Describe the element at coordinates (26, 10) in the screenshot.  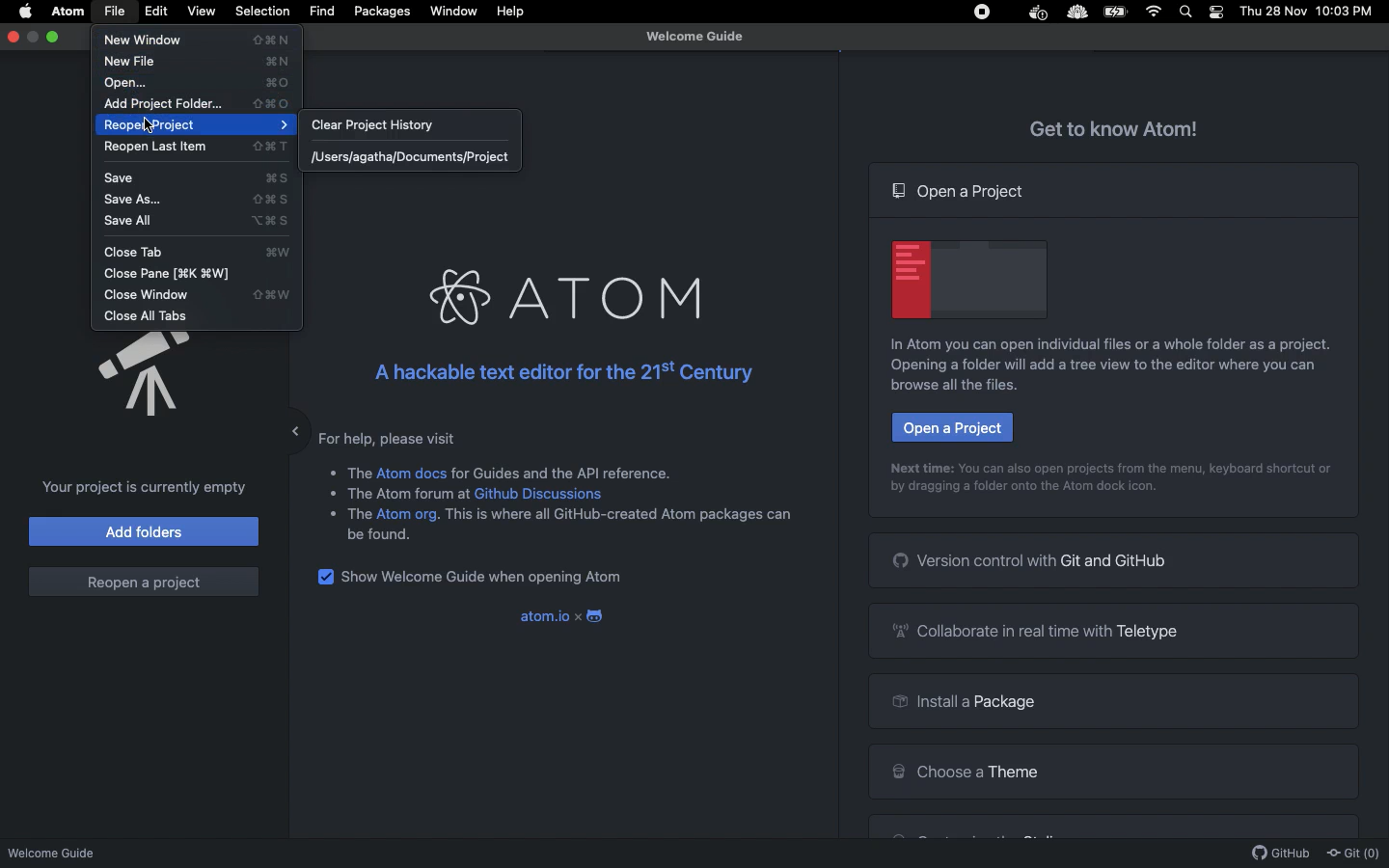
I see `Apple logo` at that location.